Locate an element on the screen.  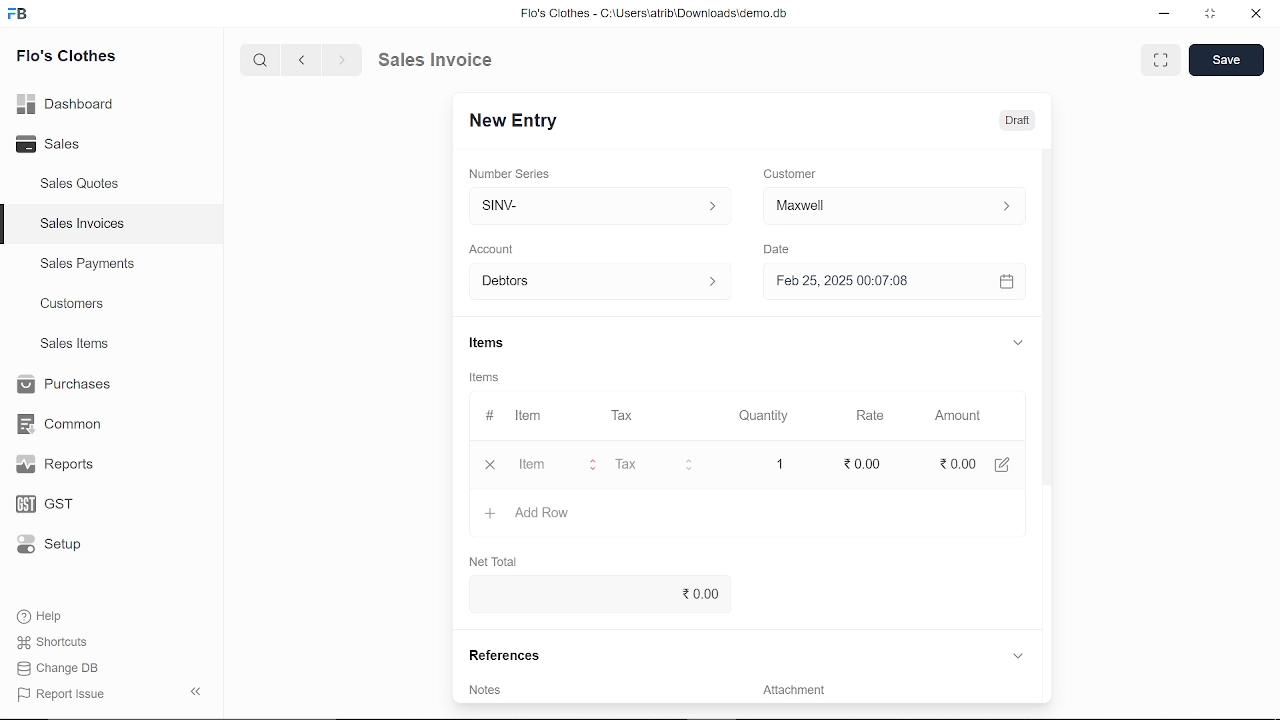
Report Issue is located at coordinates (61, 693).